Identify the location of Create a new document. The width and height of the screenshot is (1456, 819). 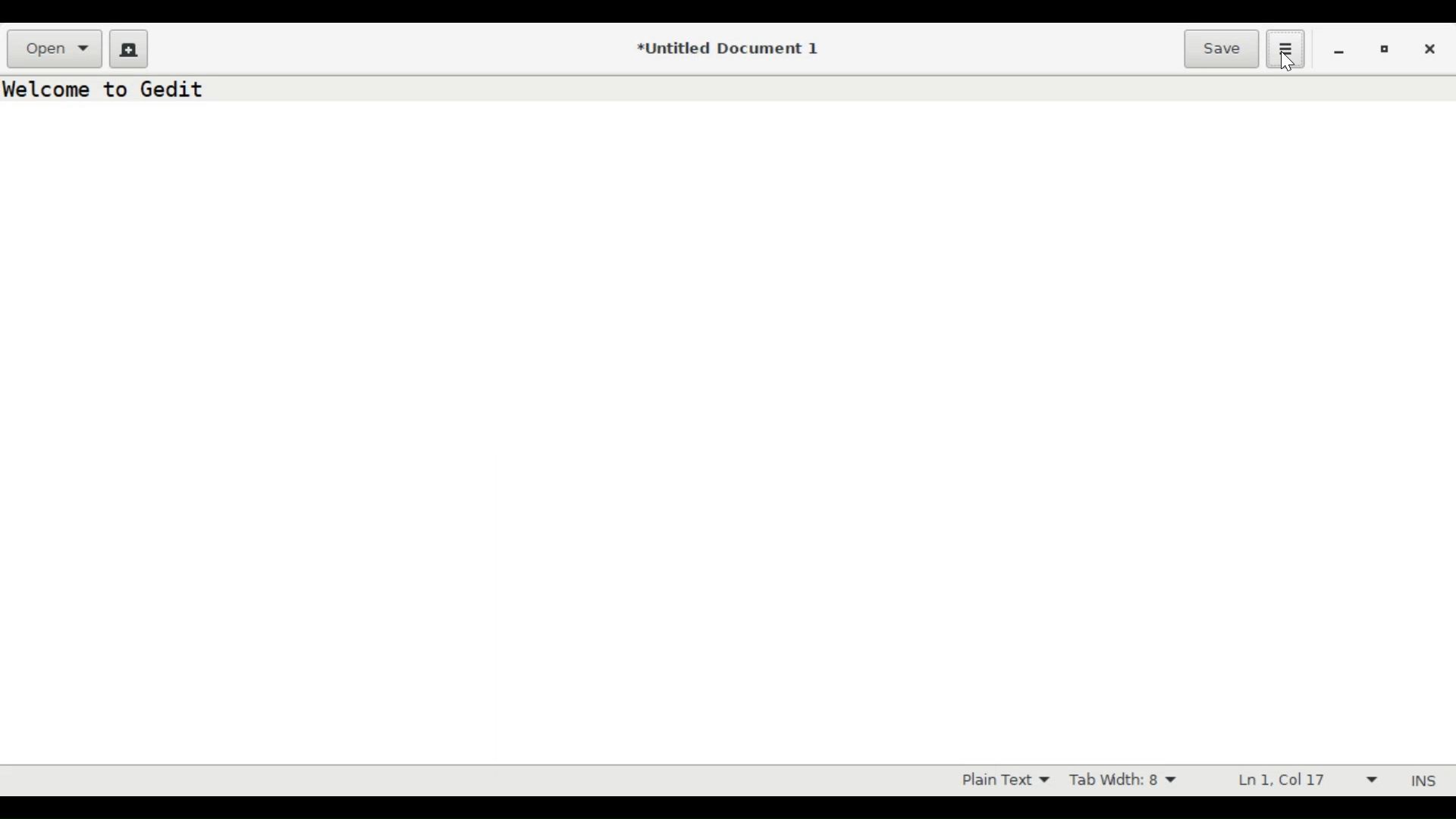
(127, 48).